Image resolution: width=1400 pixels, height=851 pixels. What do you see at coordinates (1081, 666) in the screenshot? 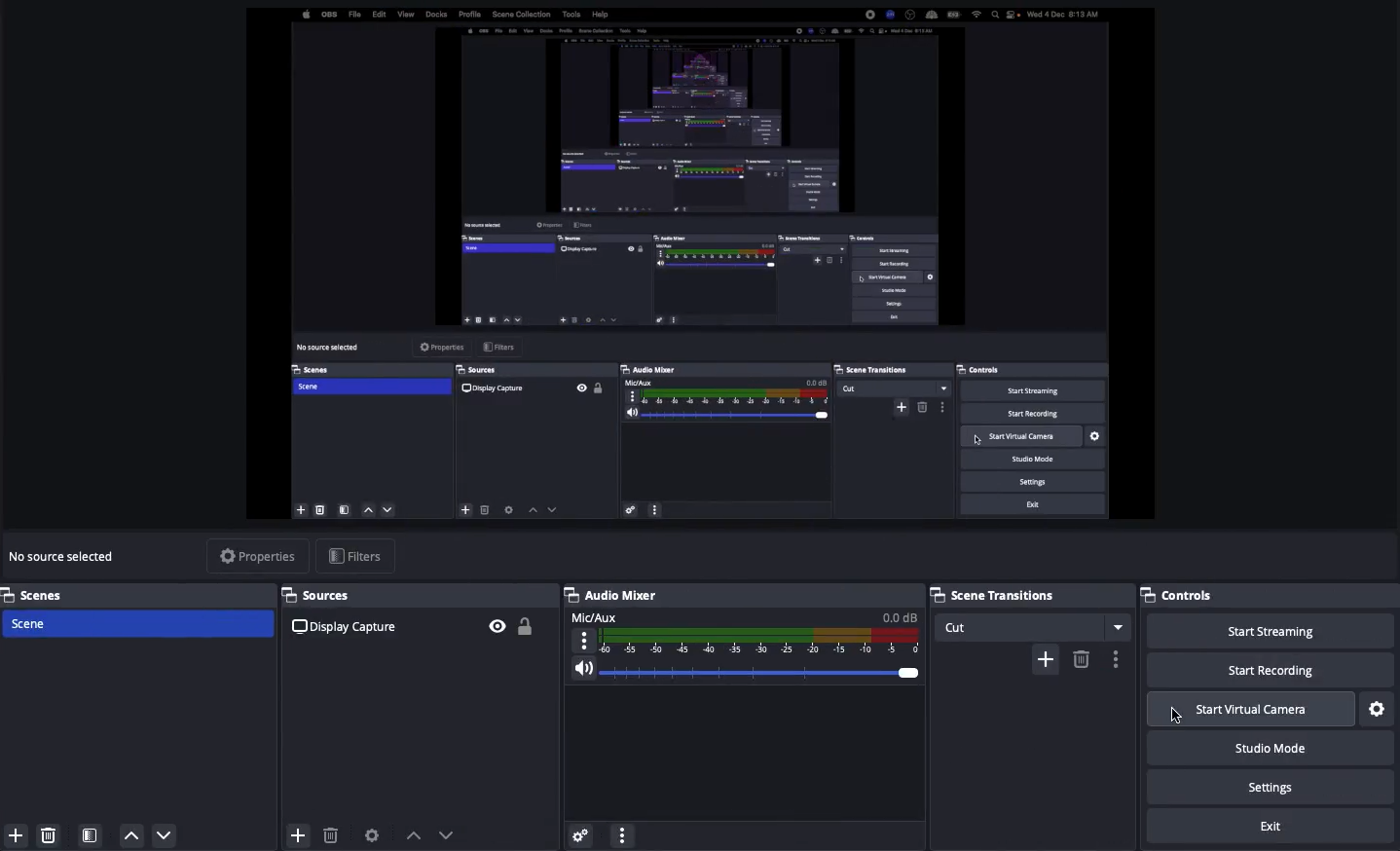
I see `delete` at bounding box center [1081, 666].